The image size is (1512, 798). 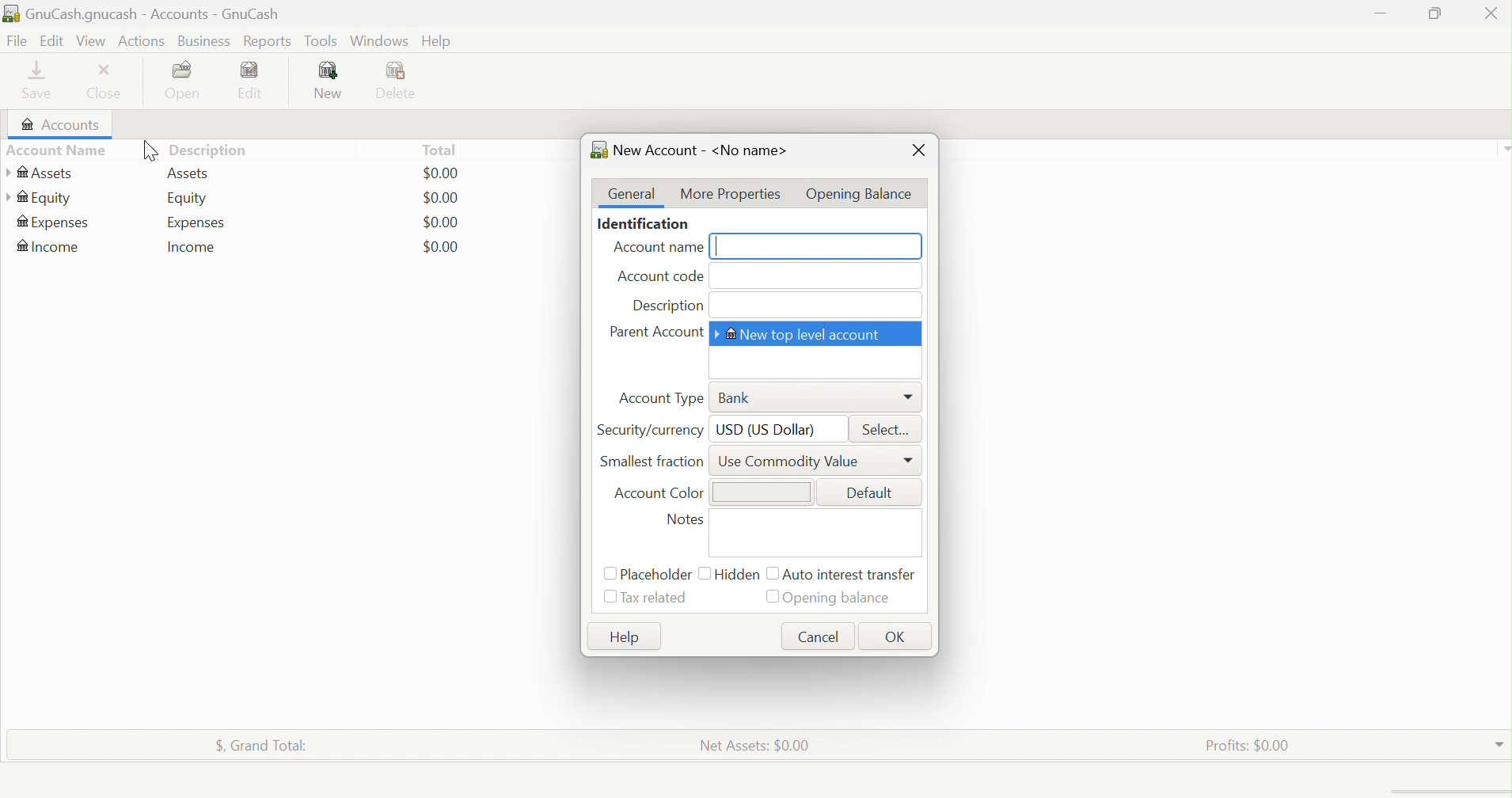 What do you see at coordinates (266, 42) in the screenshot?
I see `Reports` at bounding box center [266, 42].